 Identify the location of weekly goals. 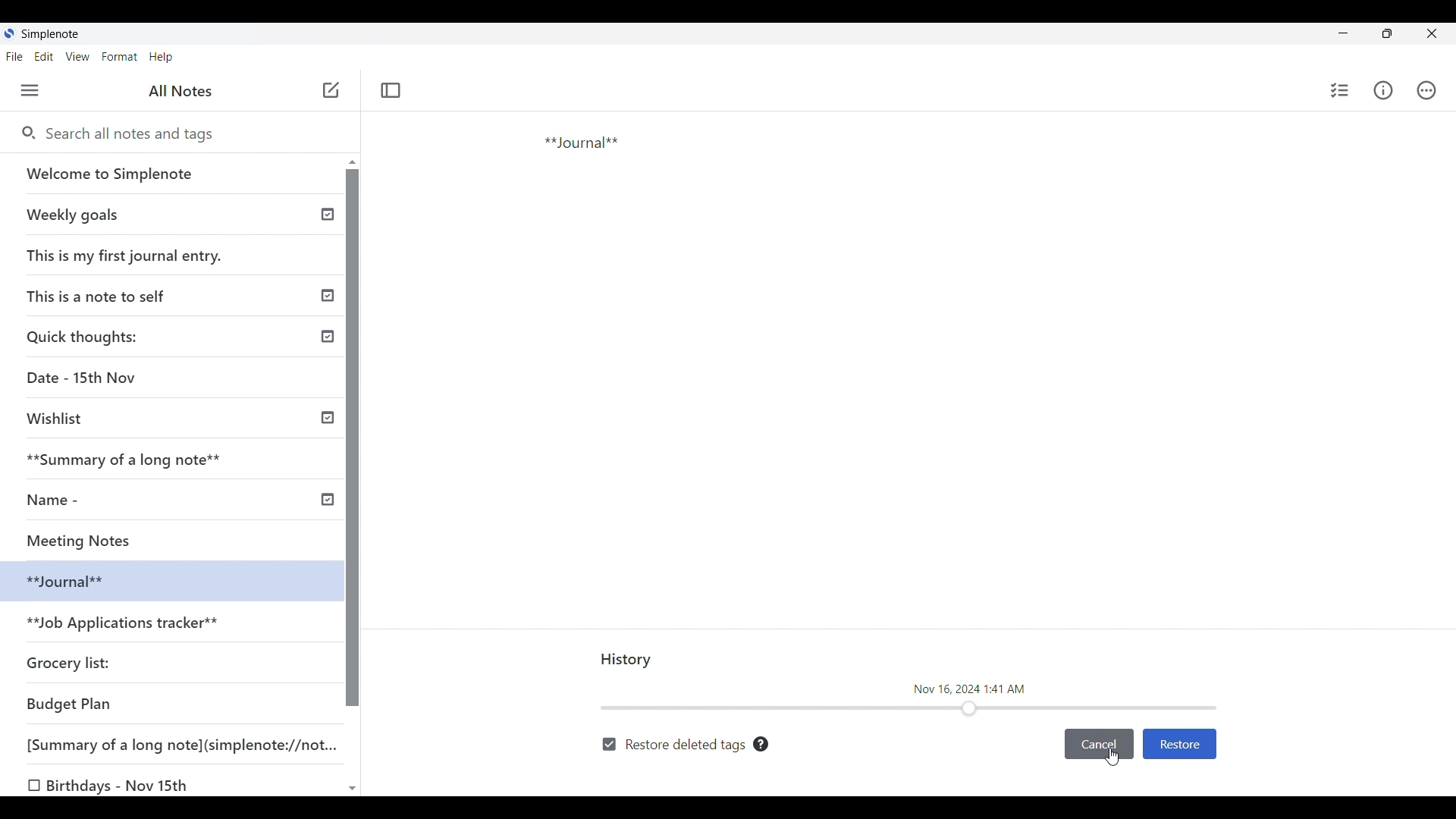
(170, 214).